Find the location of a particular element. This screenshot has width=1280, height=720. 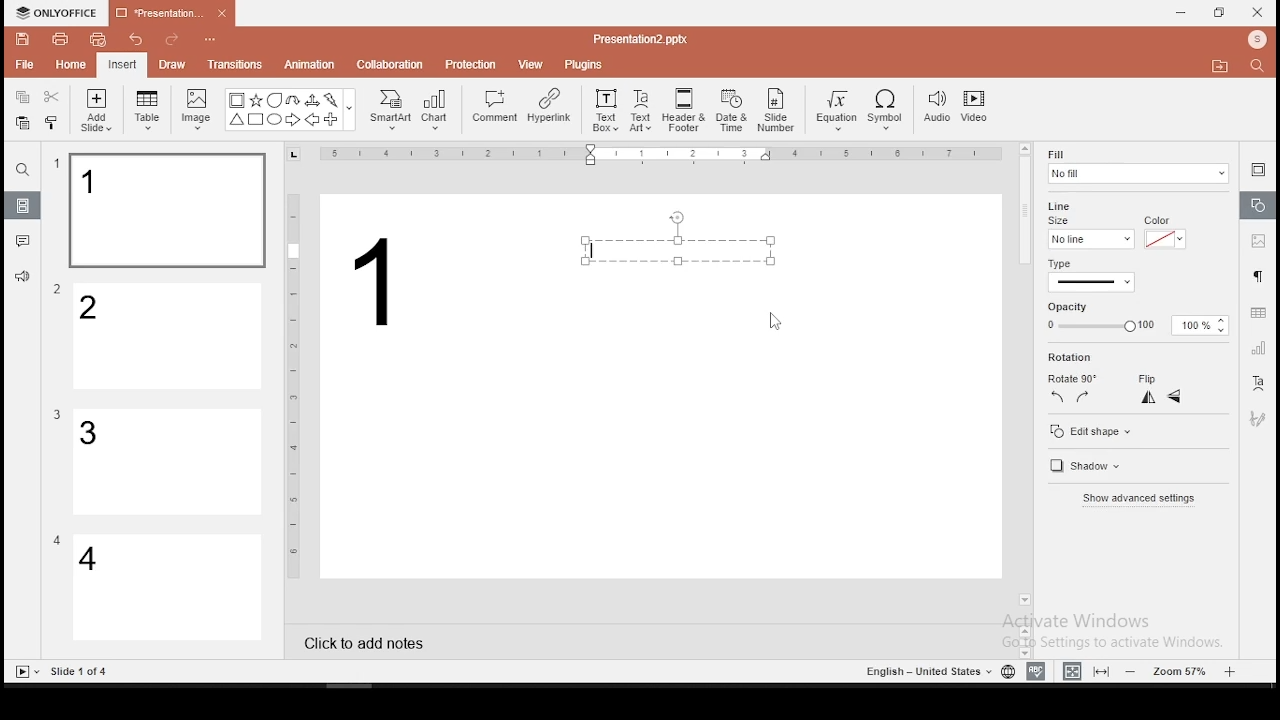

chart settings is located at coordinates (1257, 348).